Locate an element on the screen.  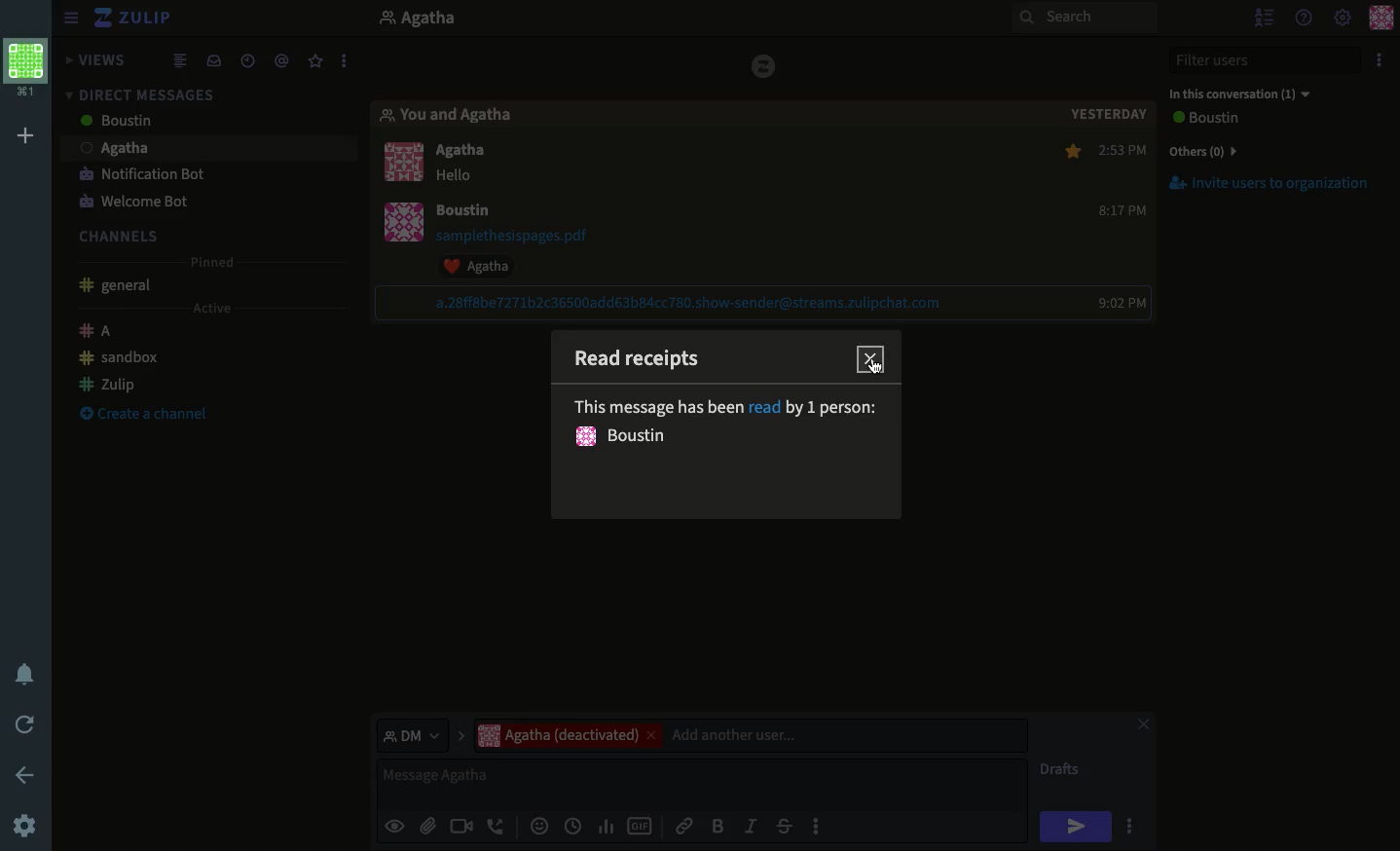
Options is located at coordinates (1379, 59).